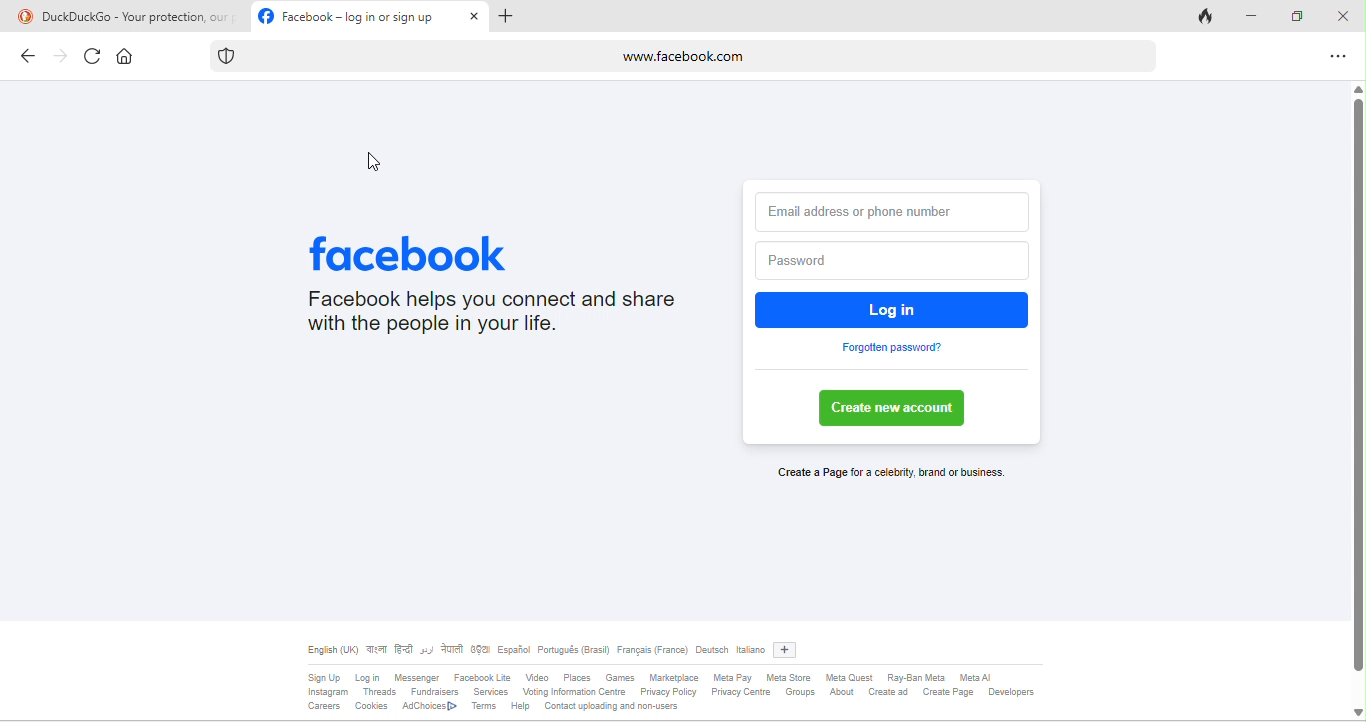 The width and height of the screenshot is (1366, 722). What do you see at coordinates (505, 17) in the screenshot?
I see `add tab` at bounding box center [505, 17].